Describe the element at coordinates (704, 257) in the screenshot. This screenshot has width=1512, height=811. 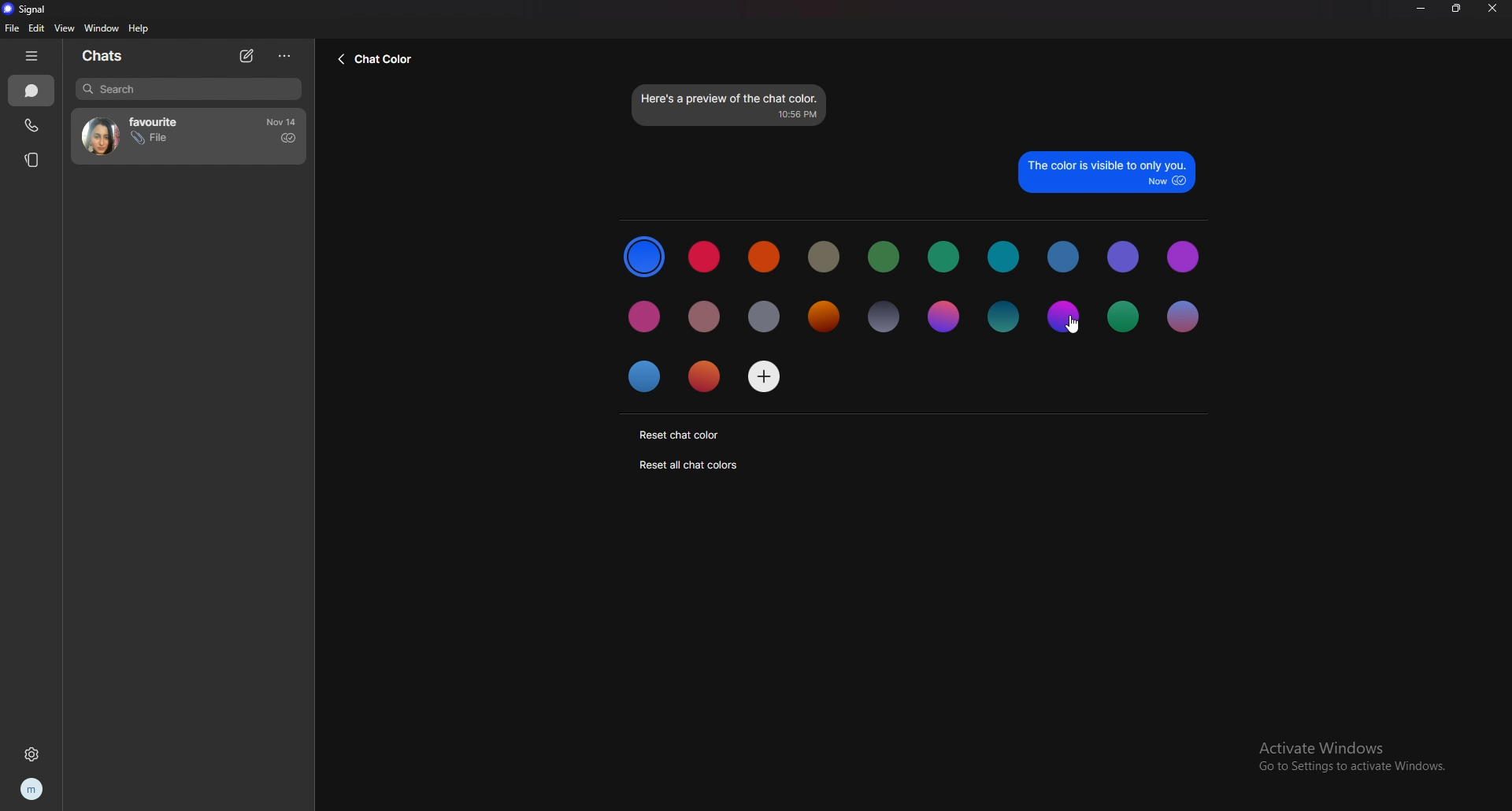
I see `color` at that location.